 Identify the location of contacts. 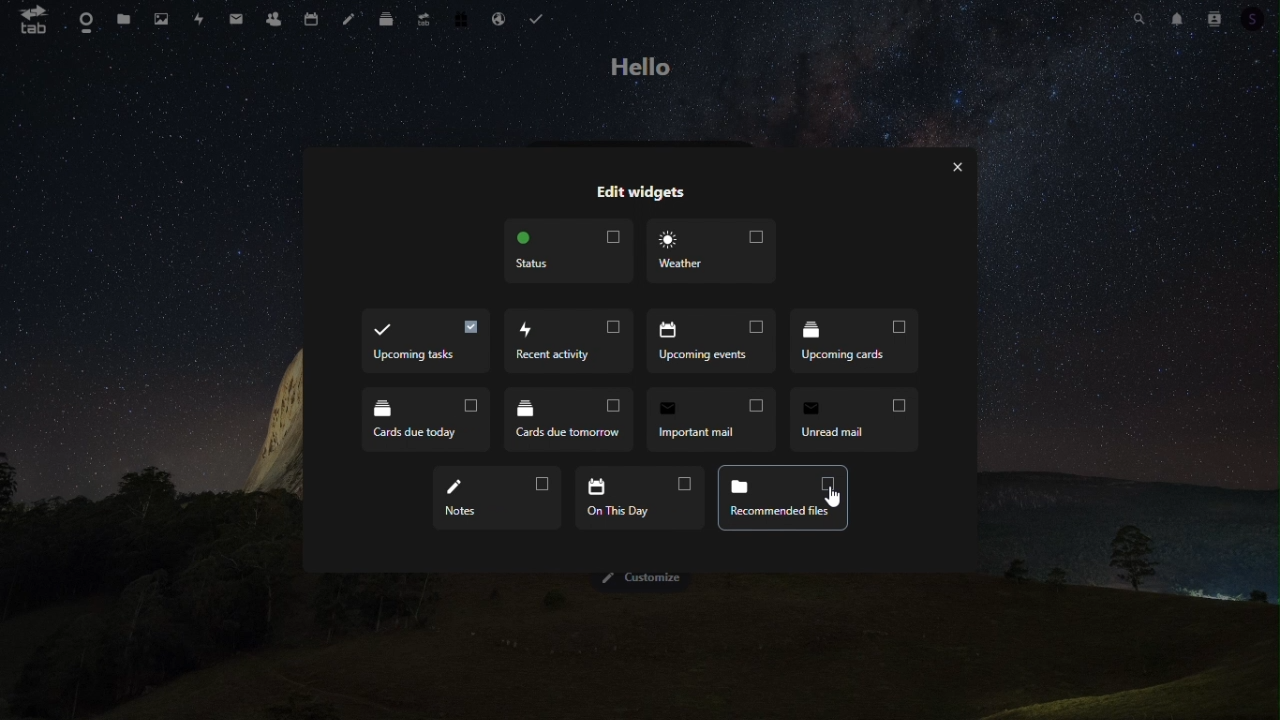
(271, 20).